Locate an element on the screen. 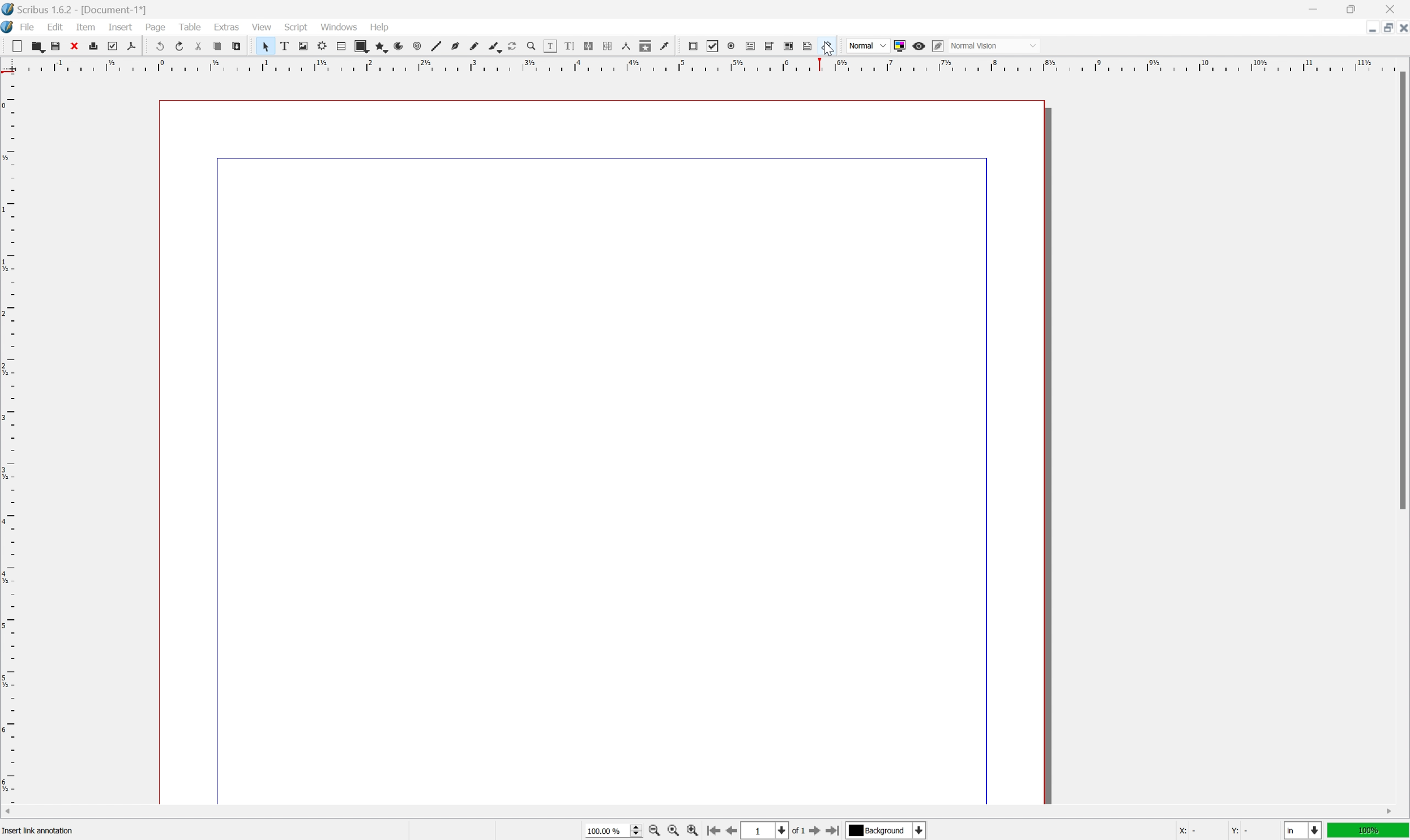 This screenshot has height=840, width=1410. open is located at coordinates (39, 46).